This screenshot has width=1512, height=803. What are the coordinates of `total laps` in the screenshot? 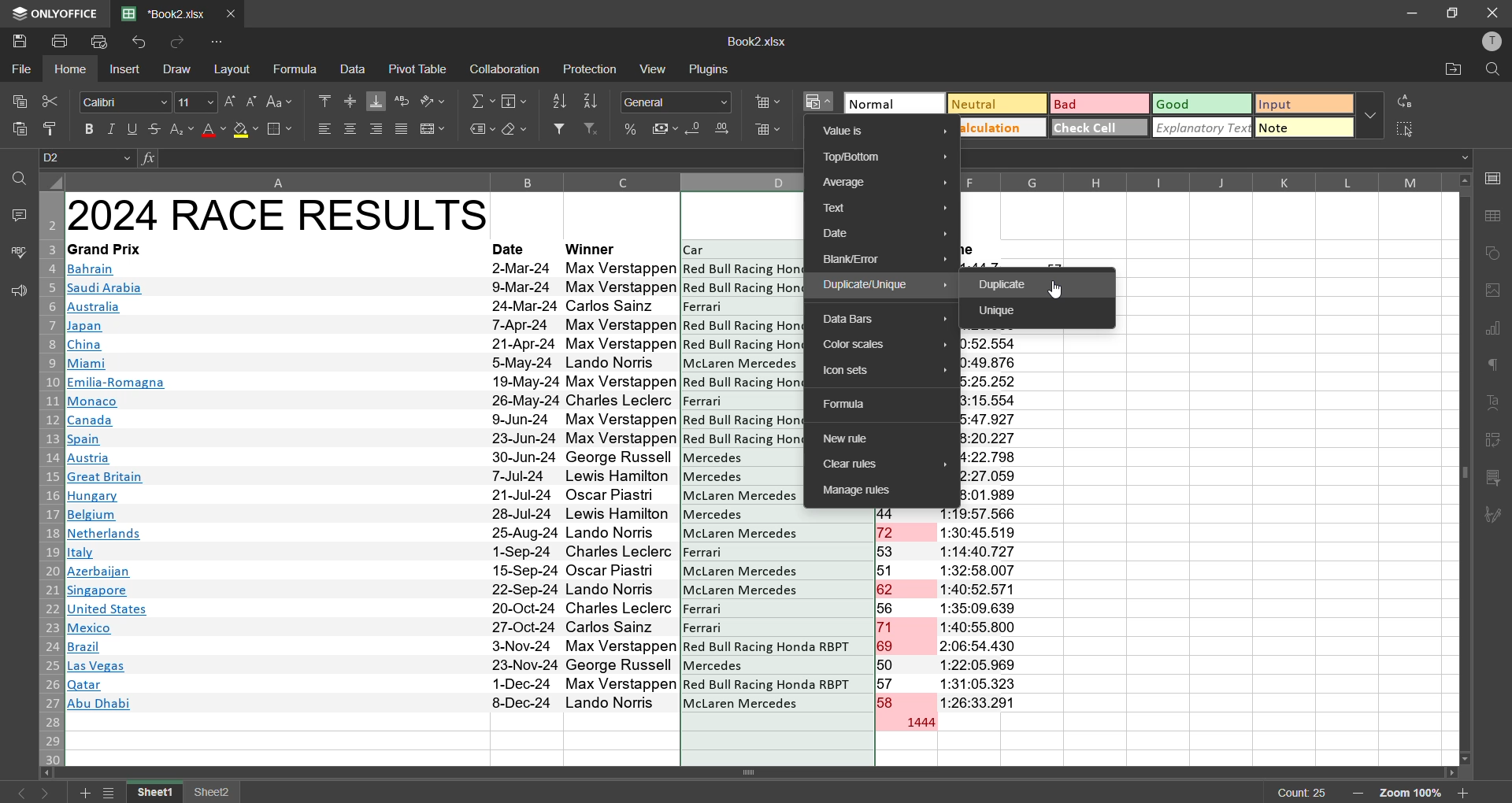 It's located at (918, 723).